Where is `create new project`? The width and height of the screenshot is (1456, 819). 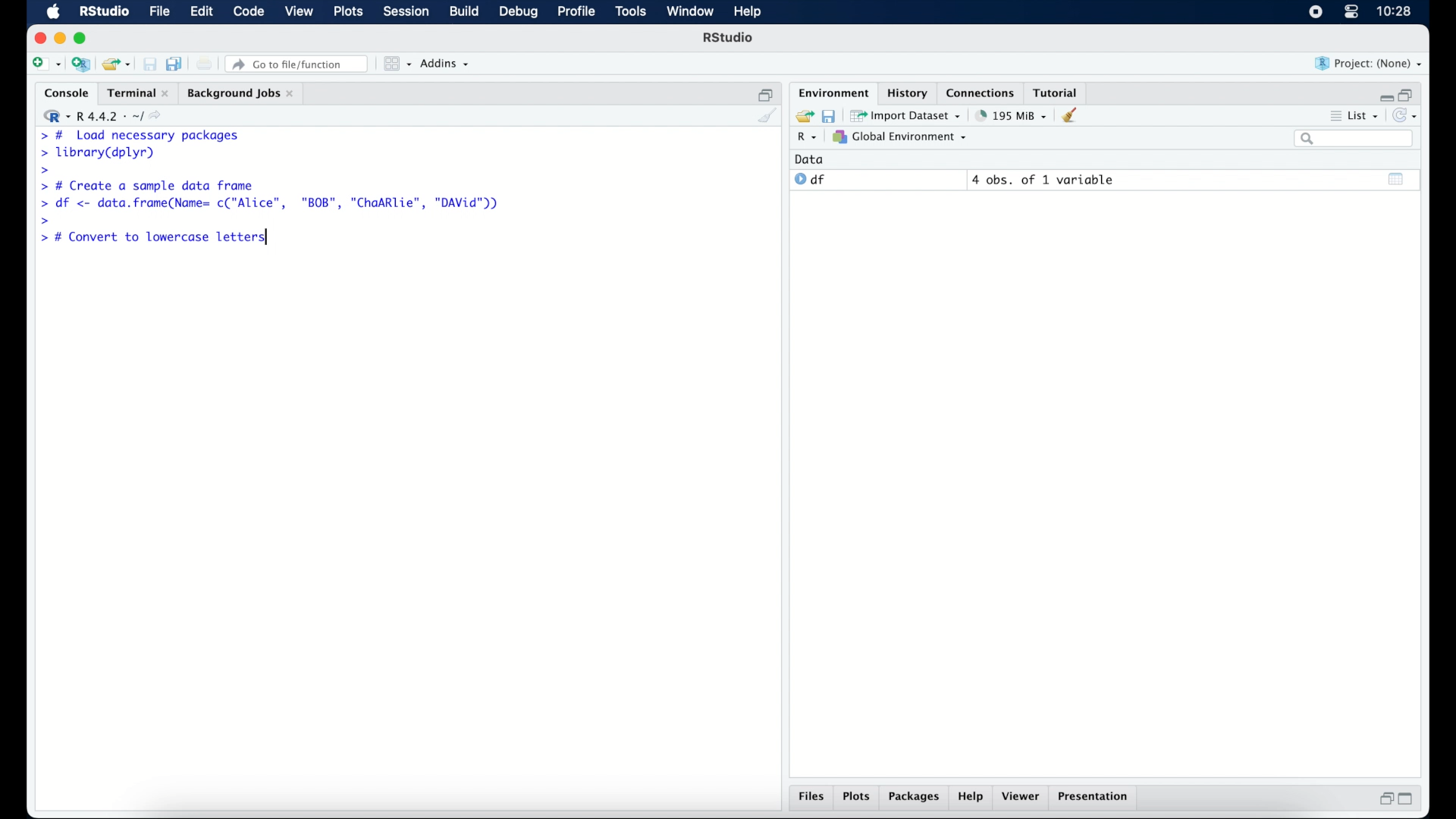 create new project is located at coordinates (81, 65).